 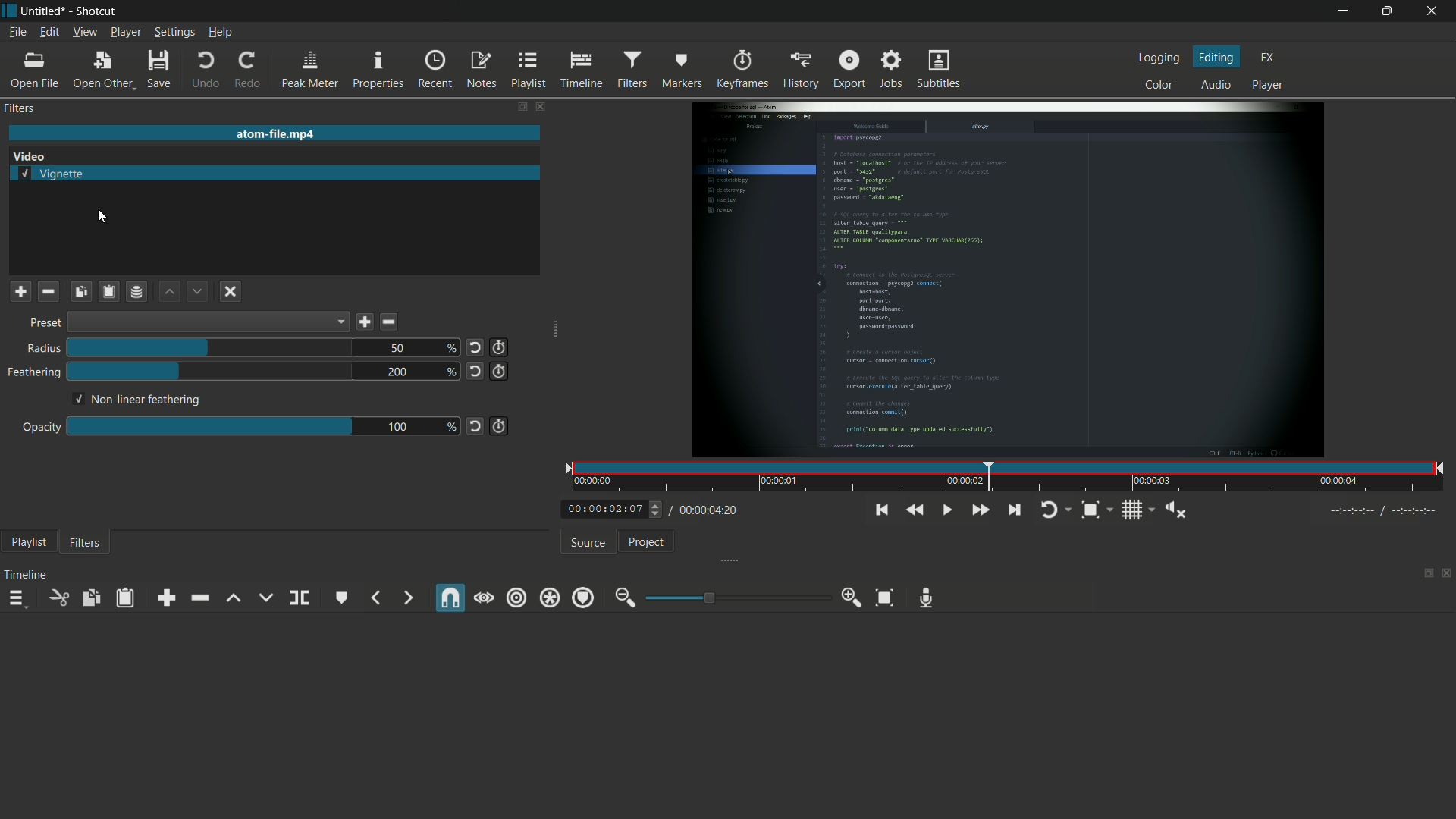 I want to click on project name, so click(x=45, y=11).